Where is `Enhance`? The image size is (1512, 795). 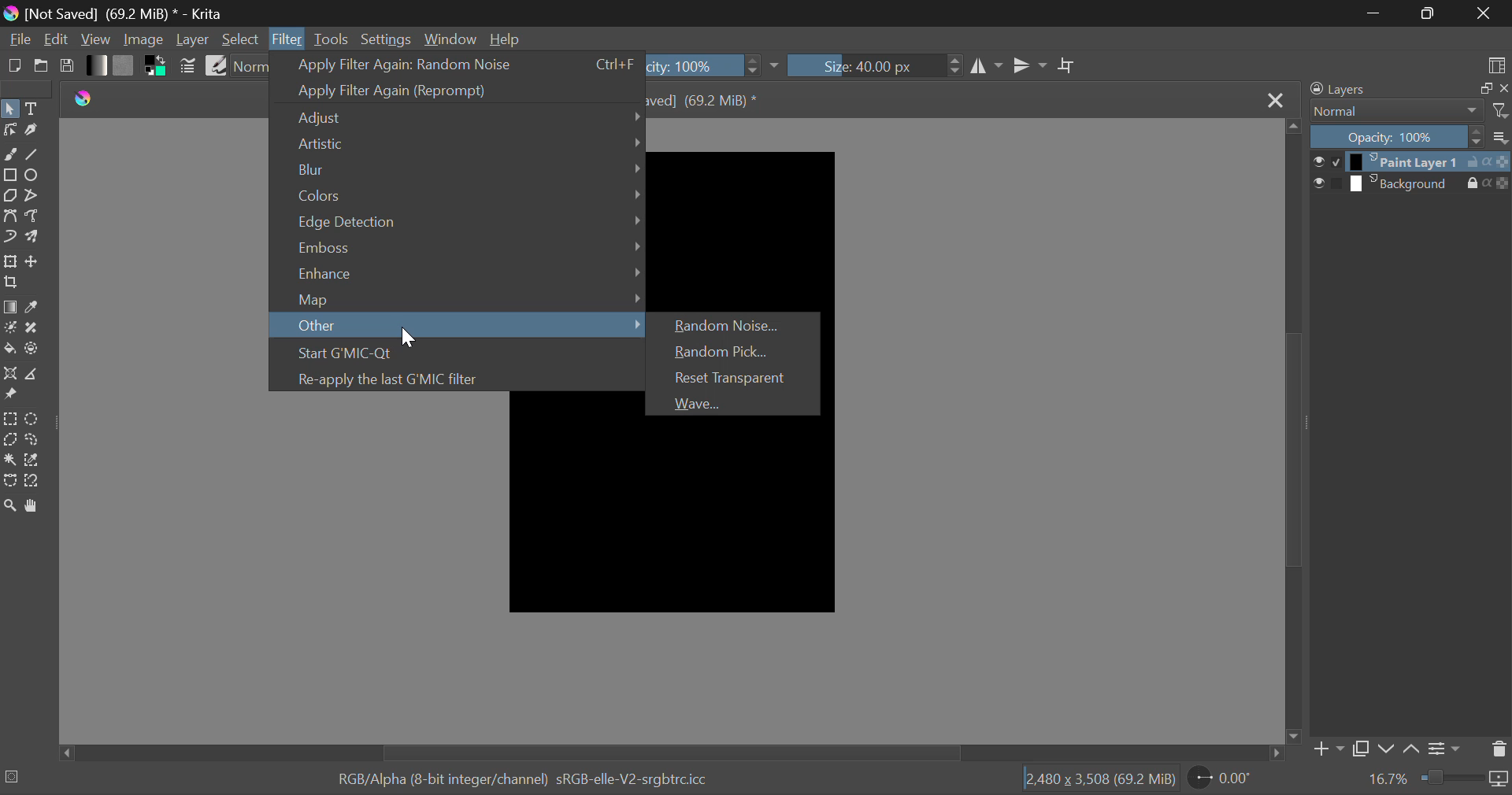
Enhance is located at coordinates (459, 275).